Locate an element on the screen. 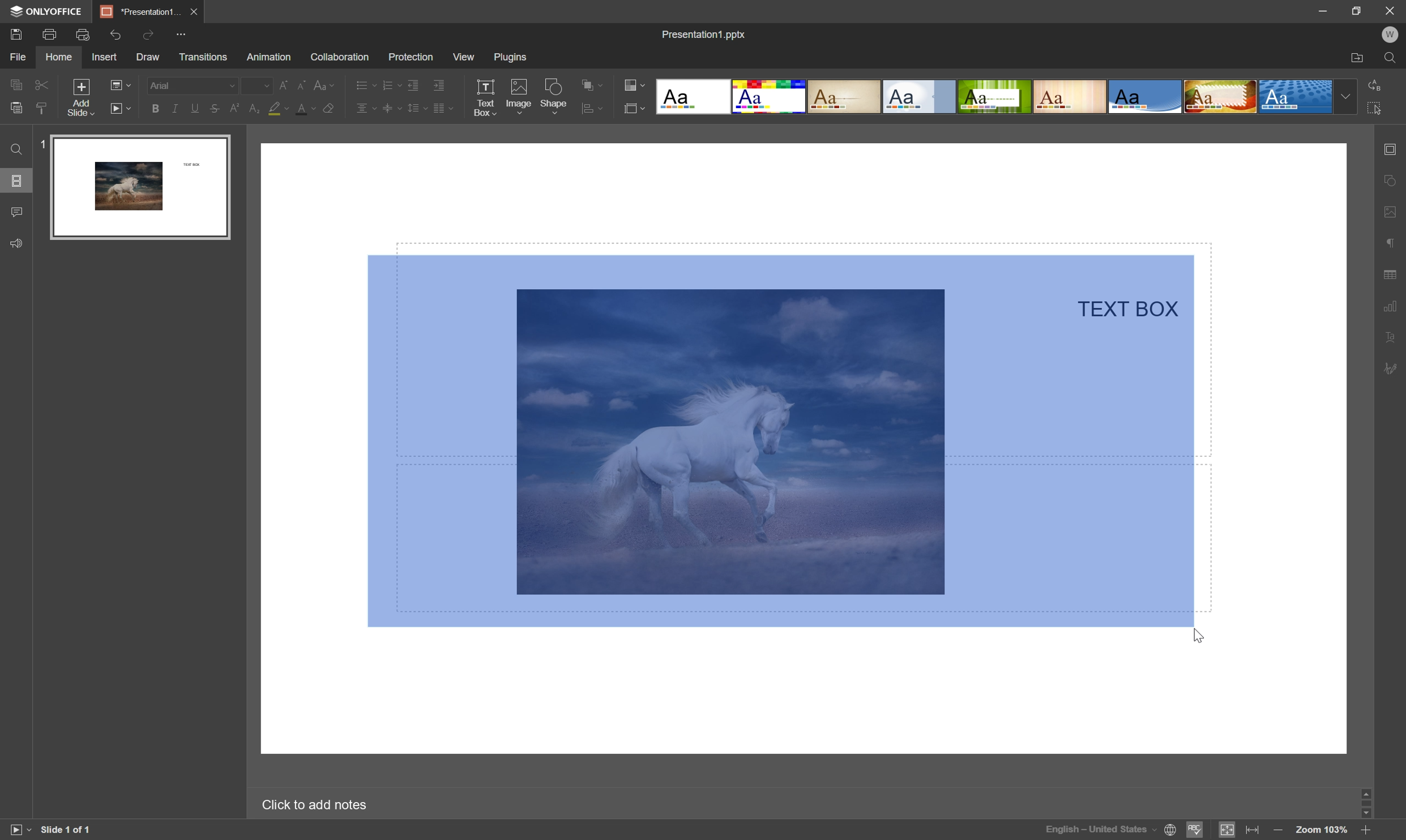 This screenshot has height=840, width=1406. table settings is located at coordinates (1391, 275).